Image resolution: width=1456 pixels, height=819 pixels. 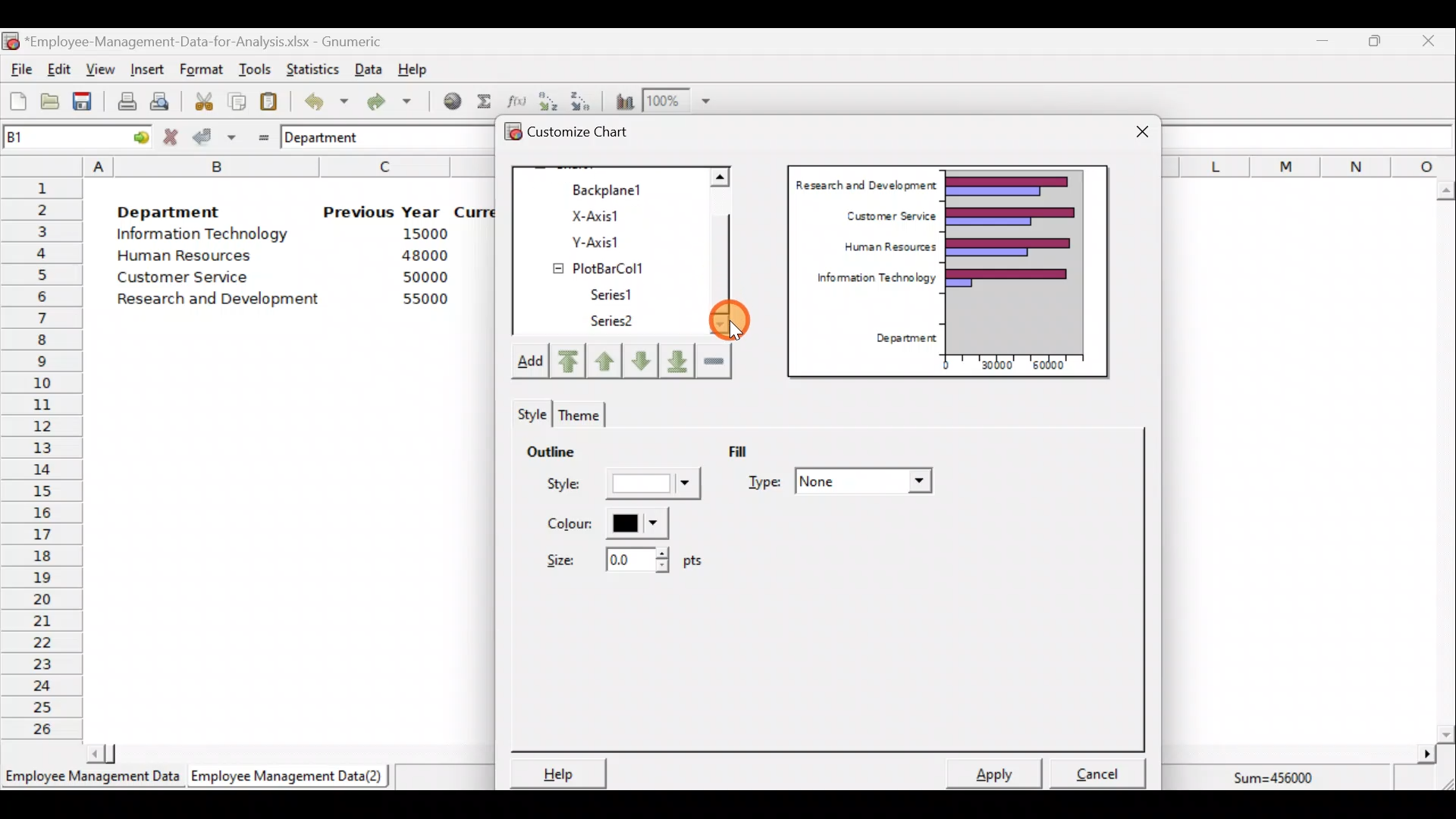 What do you see at coordinates (551, 449) in the screenshot?
I see `Outline` at bounding box center [551, 449].